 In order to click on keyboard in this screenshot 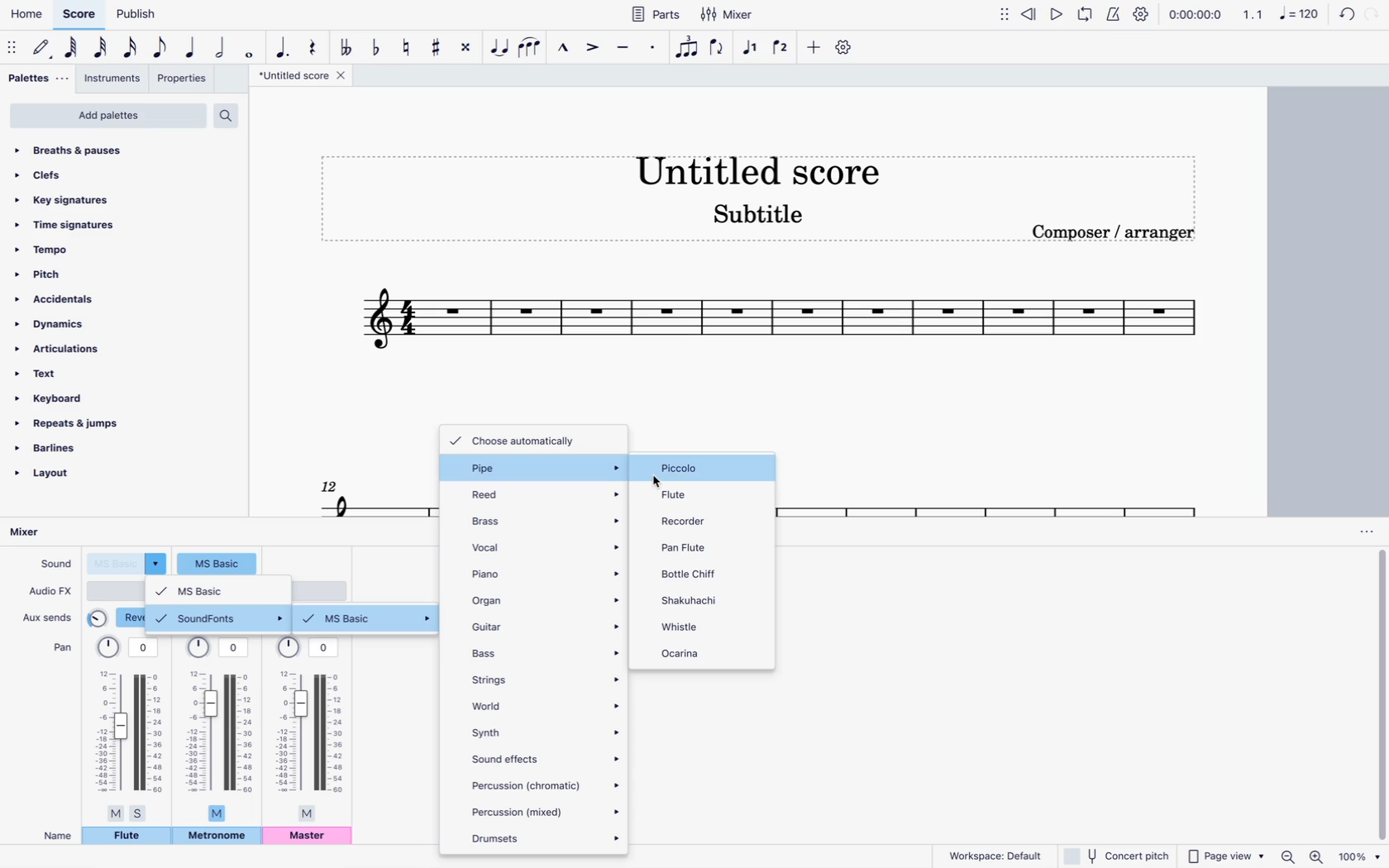, I will do `click(58, 398)`.